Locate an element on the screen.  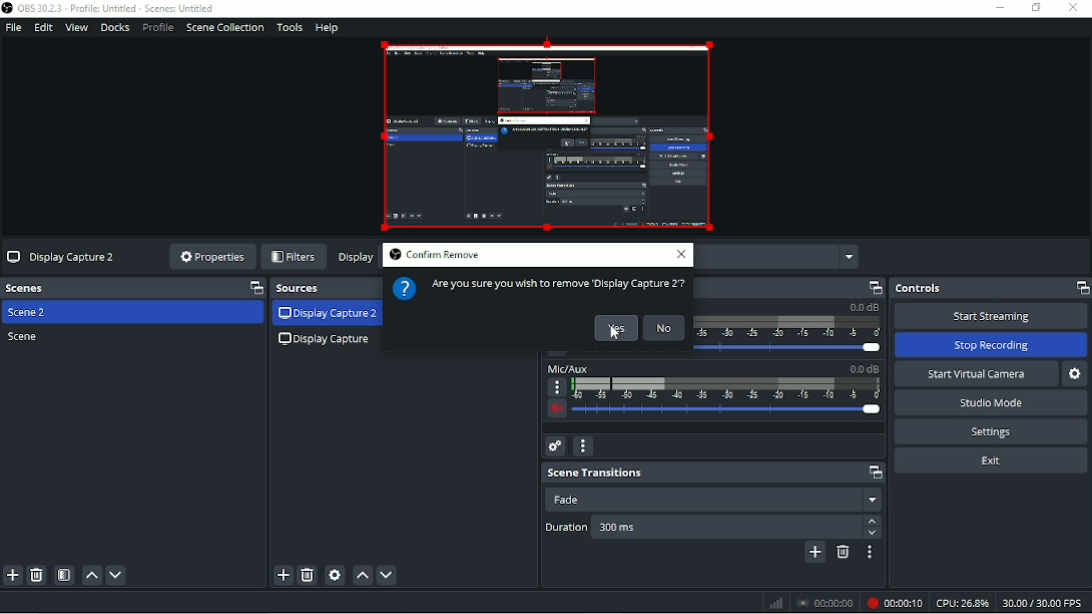
Stop recording is located at coordinates (826, 602).